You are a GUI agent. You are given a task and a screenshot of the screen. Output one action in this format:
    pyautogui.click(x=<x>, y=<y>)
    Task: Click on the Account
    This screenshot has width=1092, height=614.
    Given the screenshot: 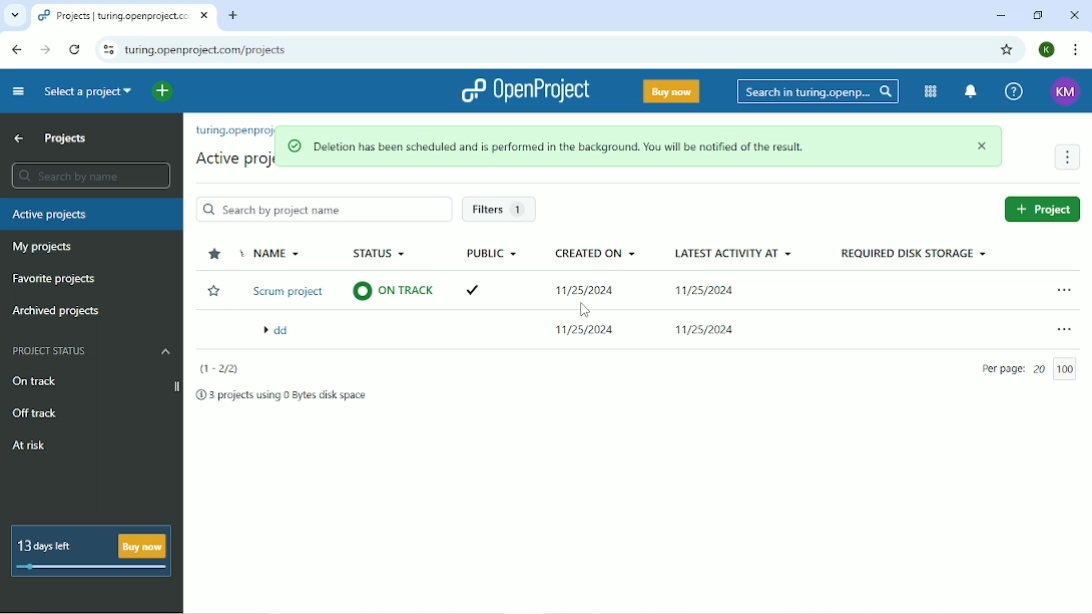 What is the action you would take?
    pyautogui.click(x=1048, y=50)
    